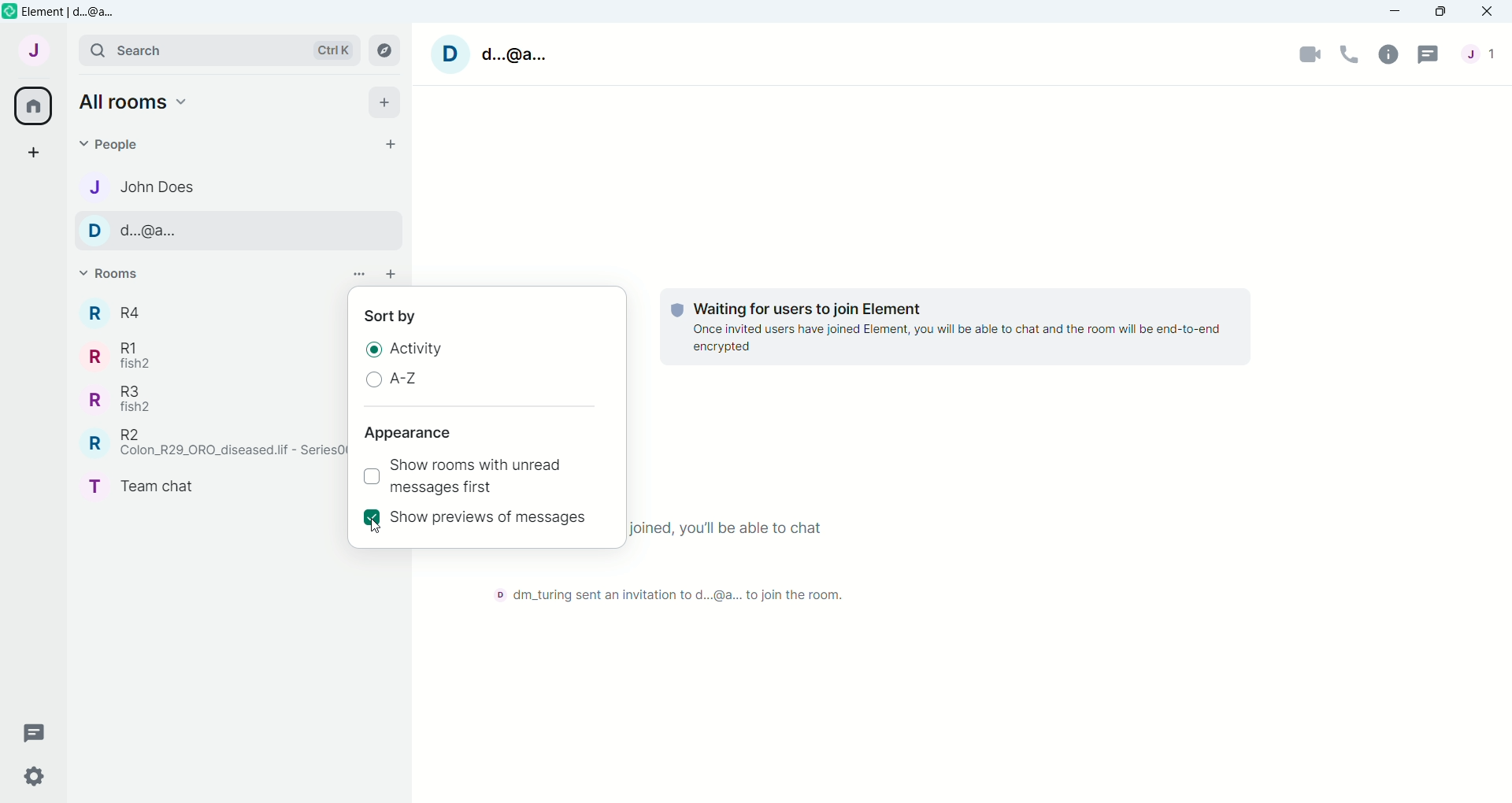 This screenshot has height=803, width=1512. Describe the element at coordinates (494, 52) in the screenshot. I see `User name` at that location.